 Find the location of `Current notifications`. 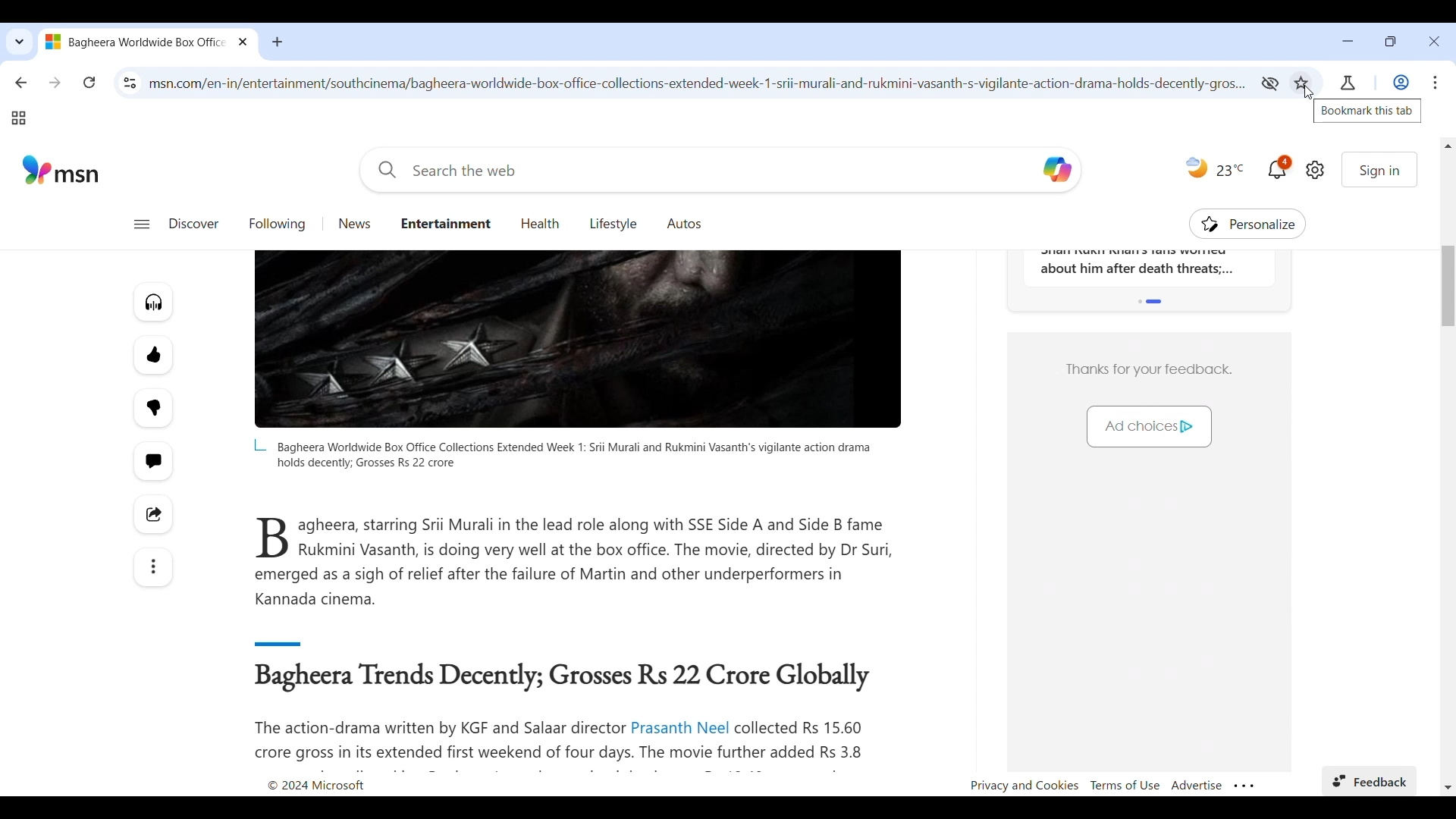

Current notifications is located at coordinates (1279, 167).